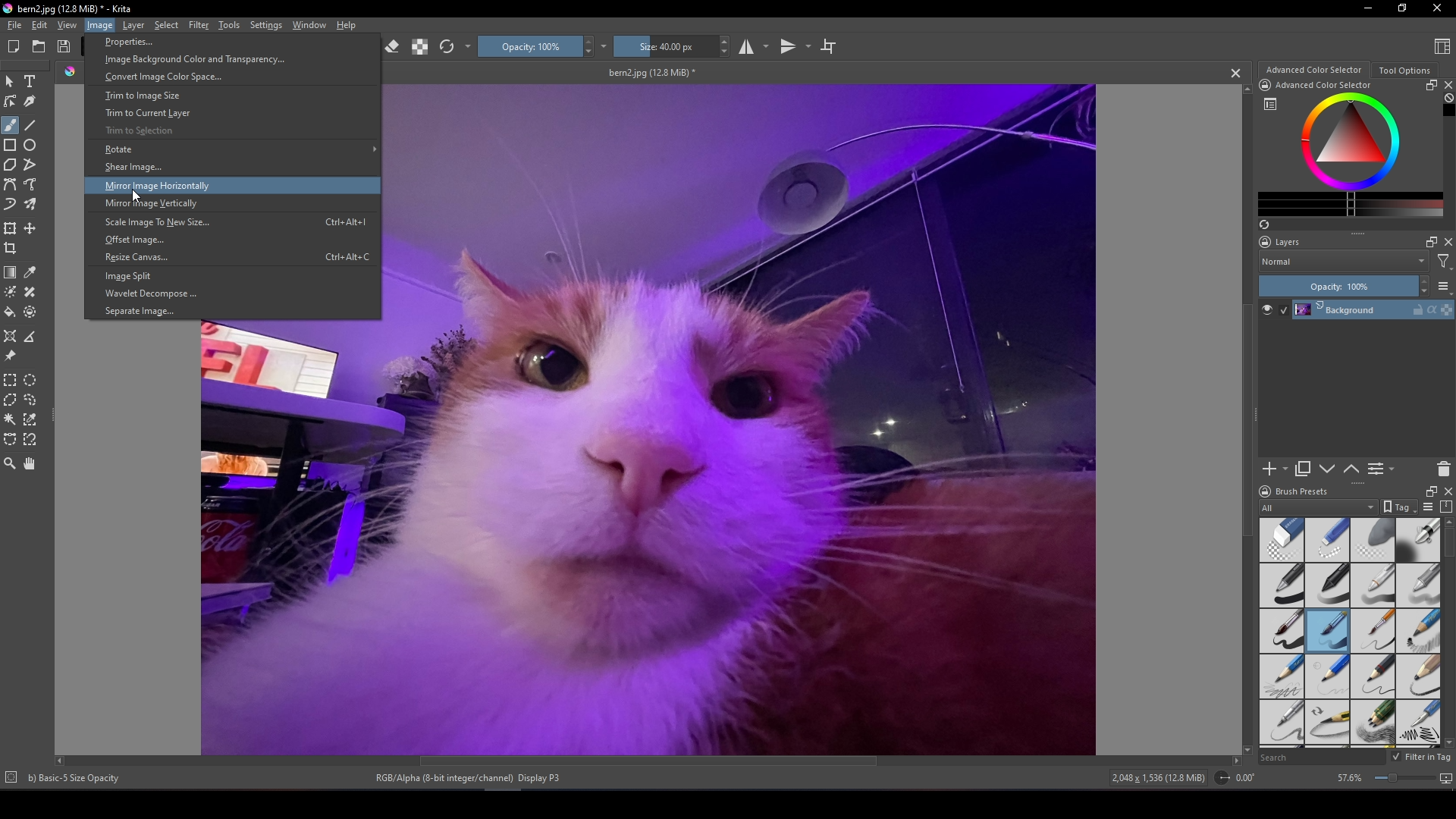  What do you see at coordinates (10, 101) in the screenshot?
I see `Edit shapes tool` at bounding box center [10, 101].